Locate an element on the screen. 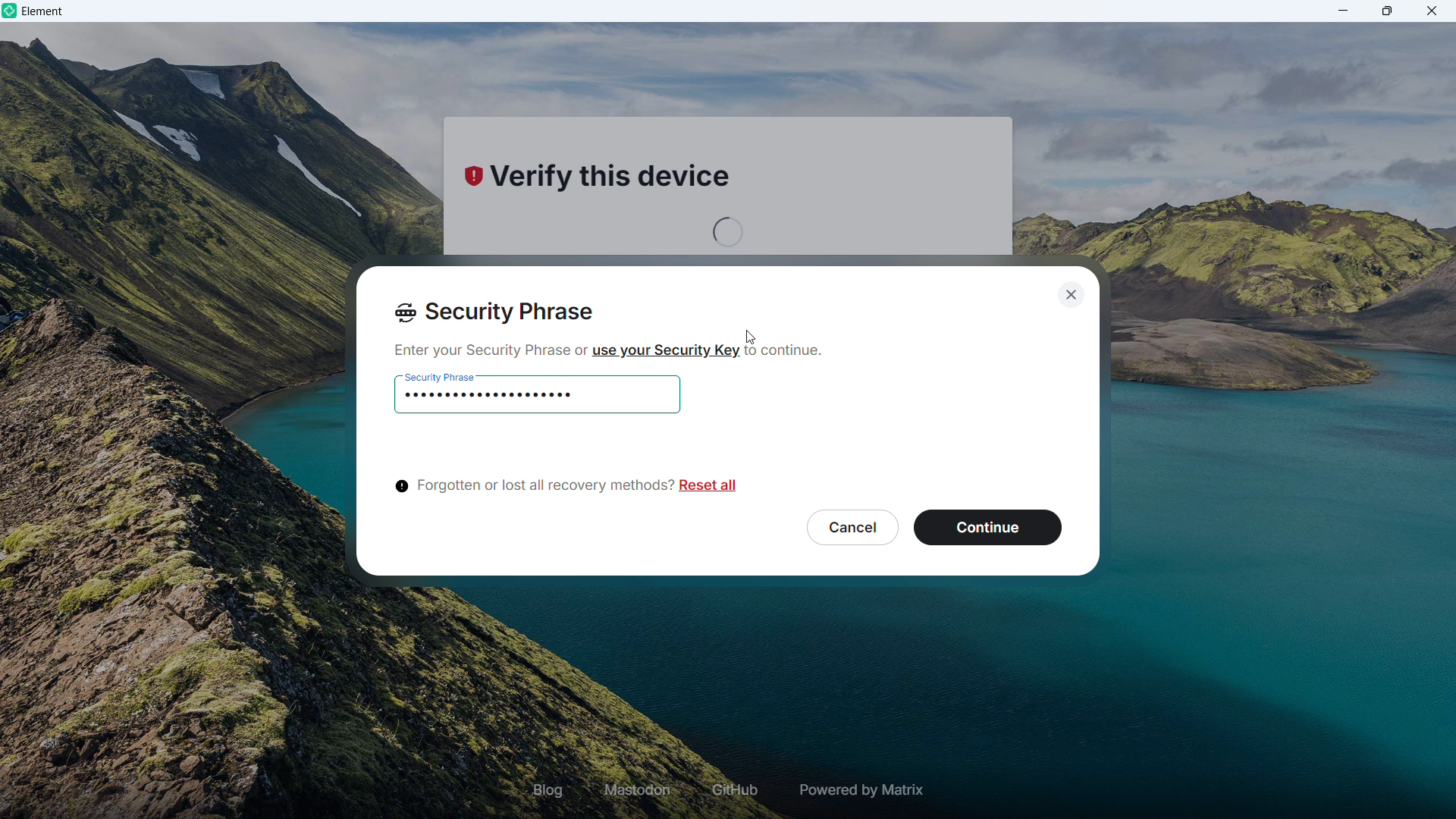 Image resolution: width=1456 pixels, height=819 pixels. maximize is located at coordinates (1388, 11).